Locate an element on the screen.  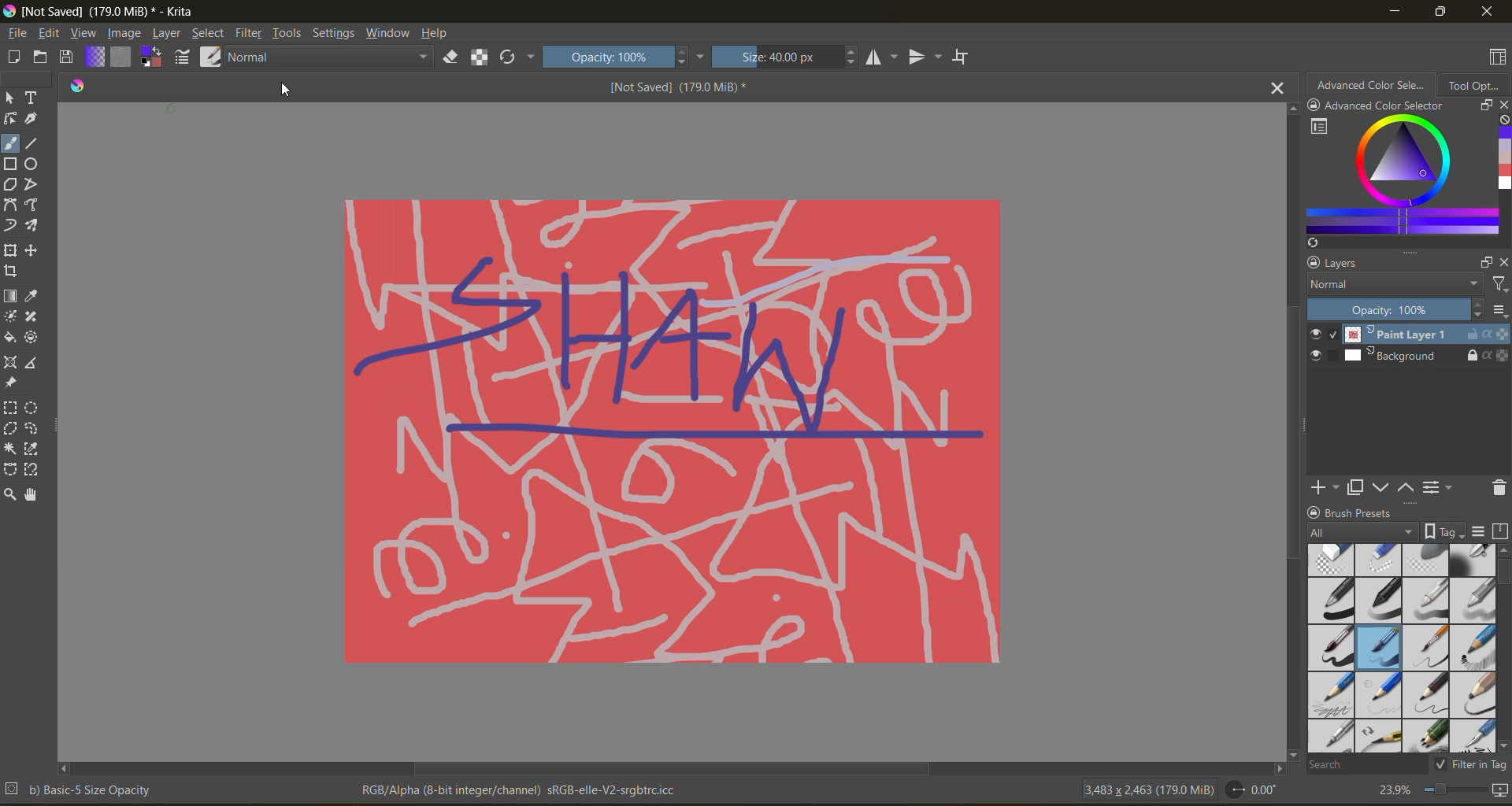
scroll up is located at coordinates (1290, 109).